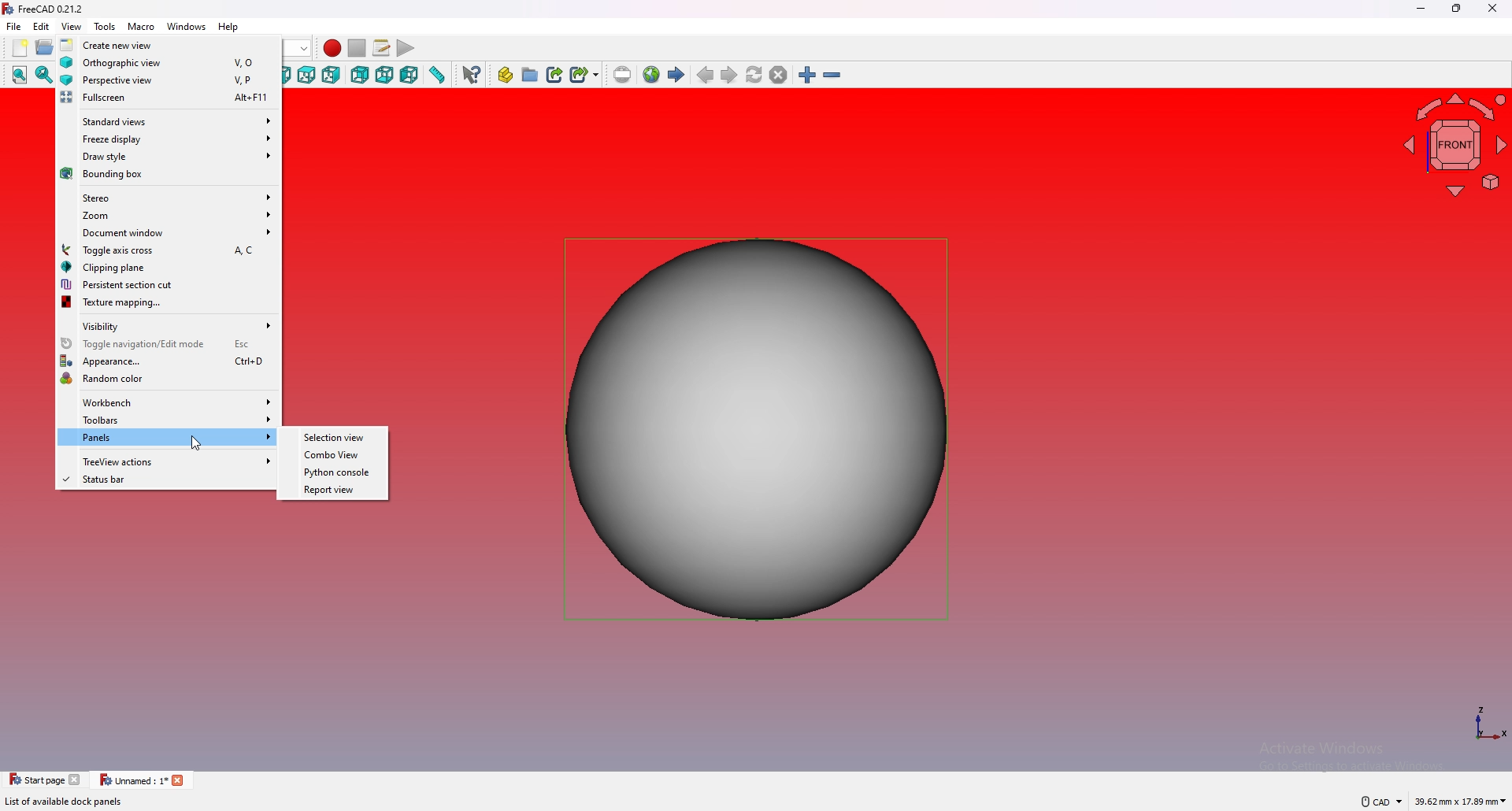  I want to click on perspective view, so click(169, 80).